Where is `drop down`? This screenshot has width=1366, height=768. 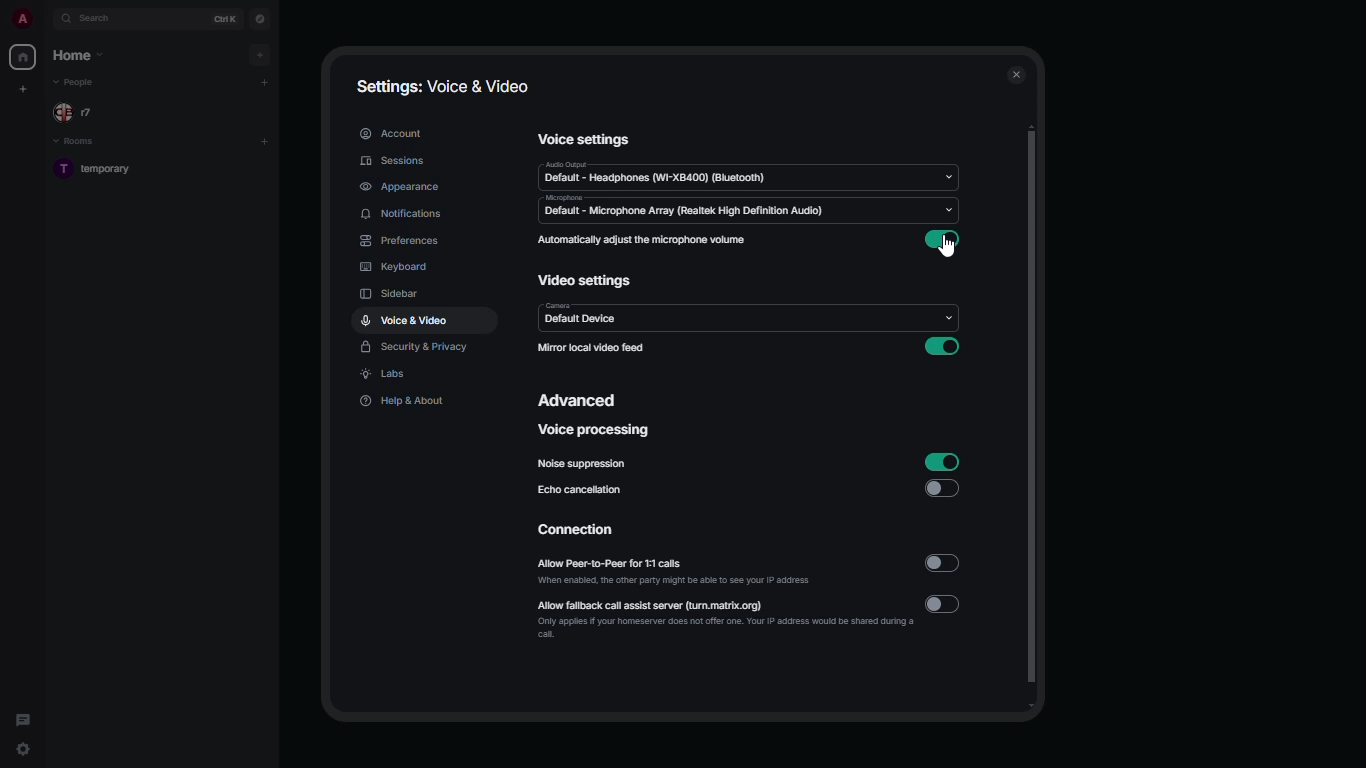
drop down is located at coordinates (947, 179).